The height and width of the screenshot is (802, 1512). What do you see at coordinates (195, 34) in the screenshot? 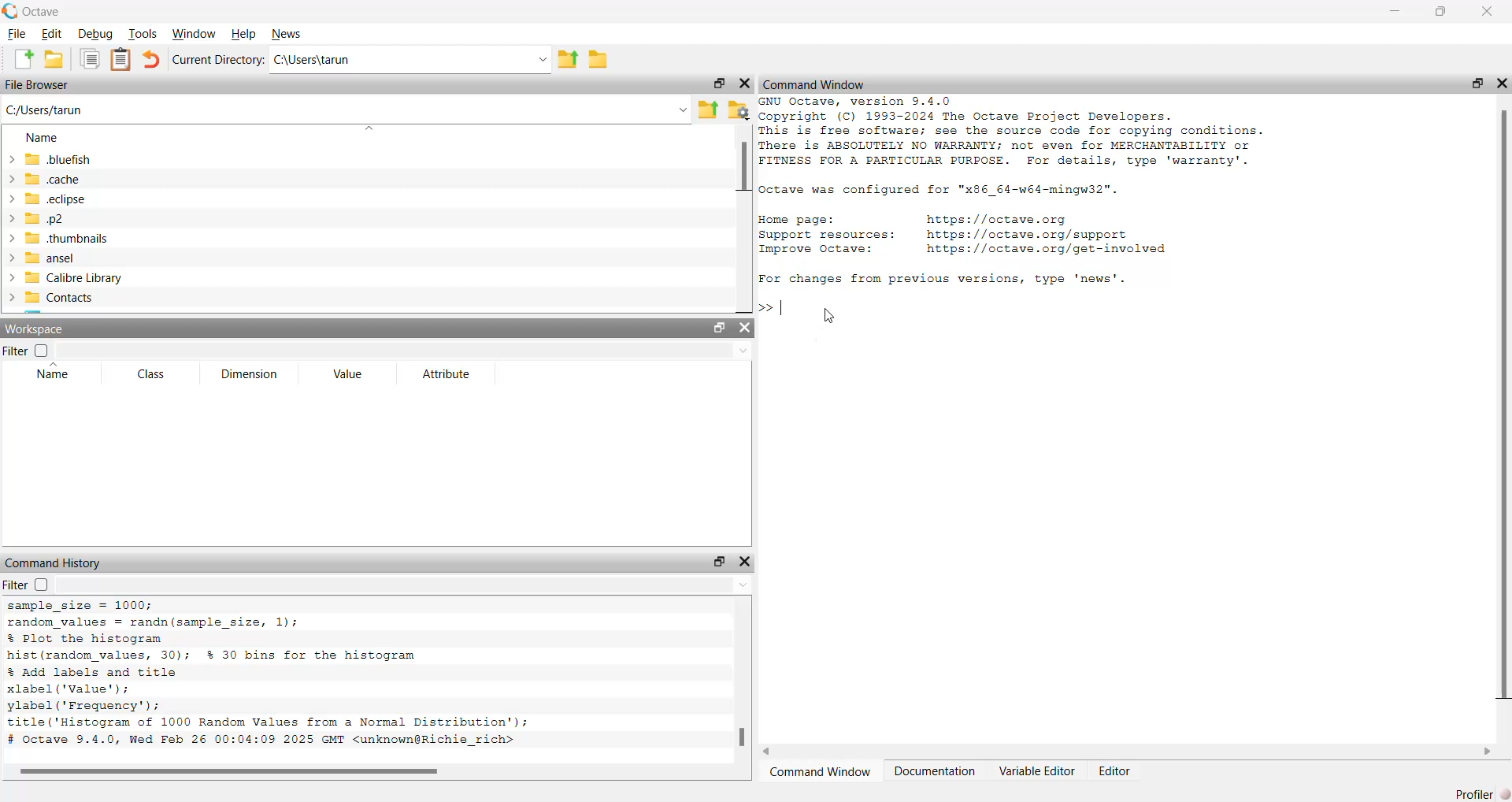
I see `Window` at bounding box center [195, 34].